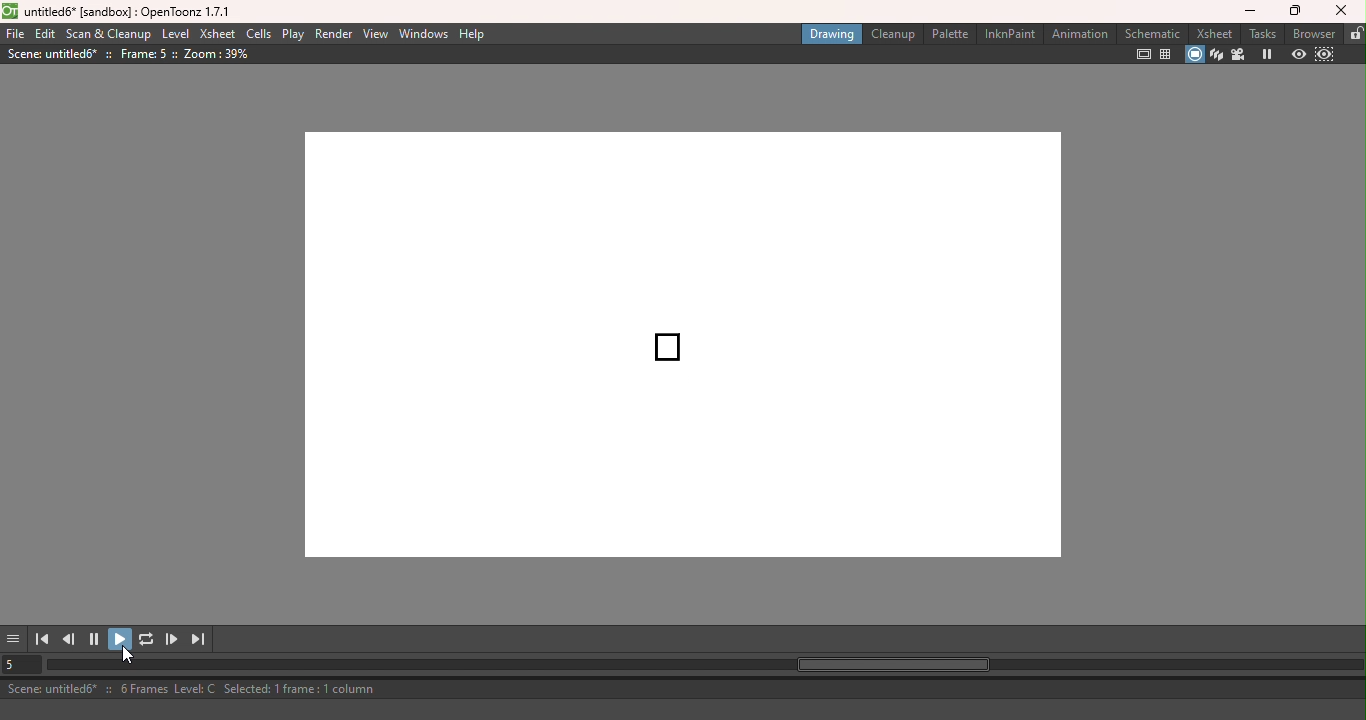  Describe the element at coordinates (258, 34) in the screenshot. I see `Cells` at that location.